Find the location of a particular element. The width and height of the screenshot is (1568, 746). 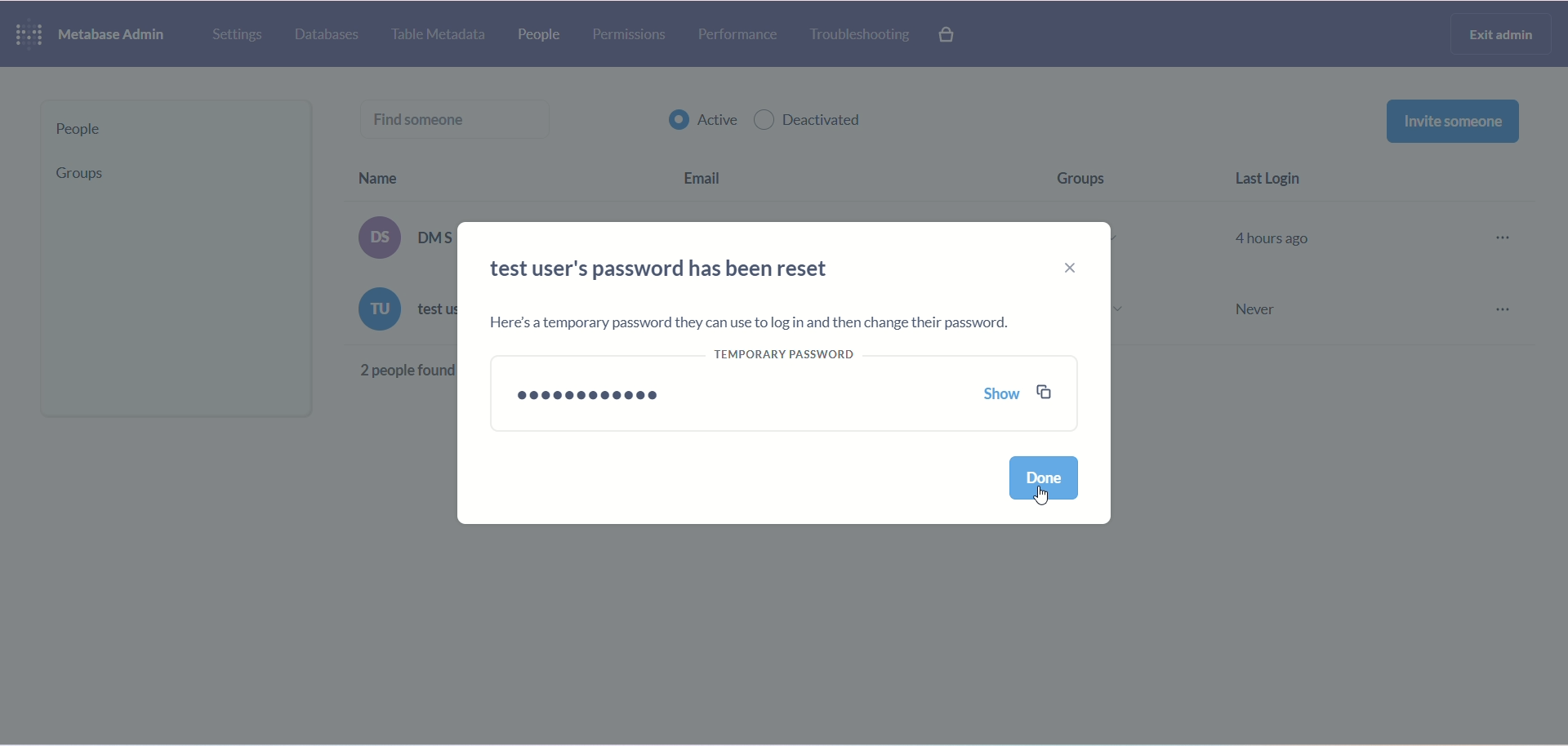

exit admin is located at coordinates (1497, 34).